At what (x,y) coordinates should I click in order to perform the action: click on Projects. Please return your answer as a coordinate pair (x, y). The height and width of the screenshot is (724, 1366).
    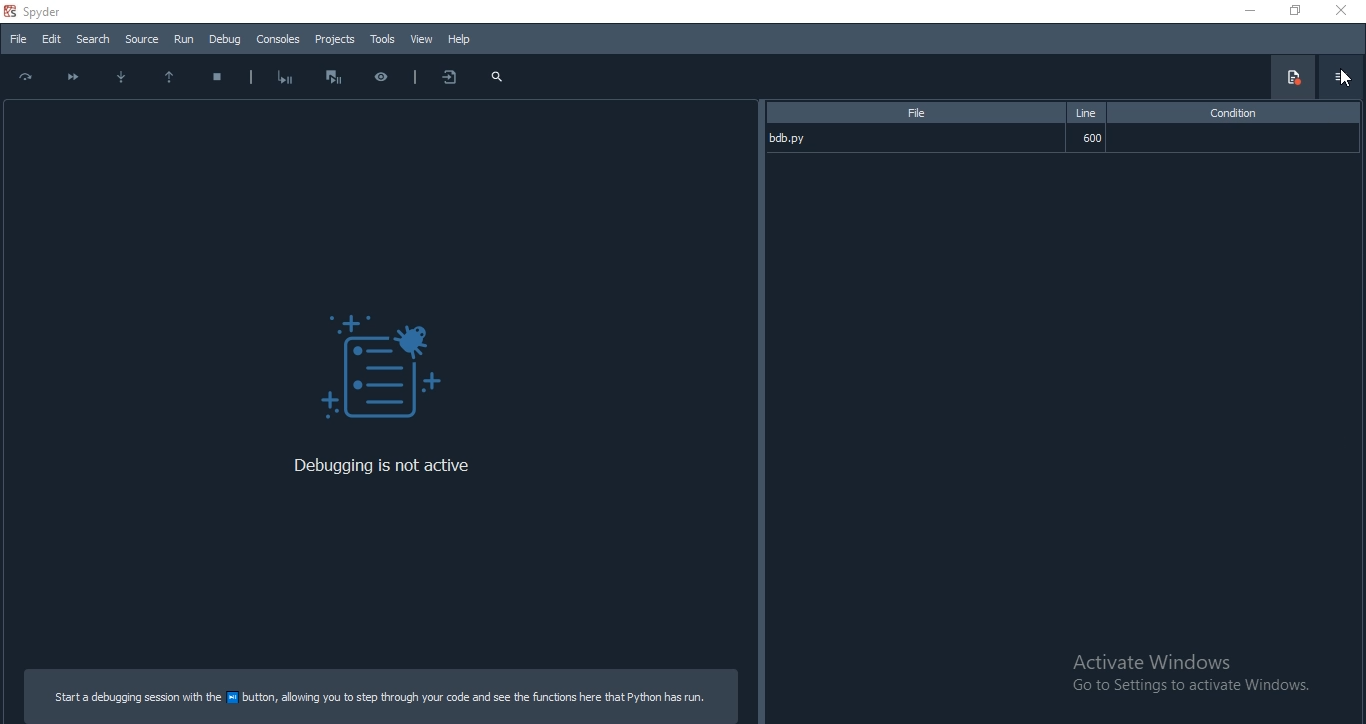
    Looking at the image, I should click on (335, 40).